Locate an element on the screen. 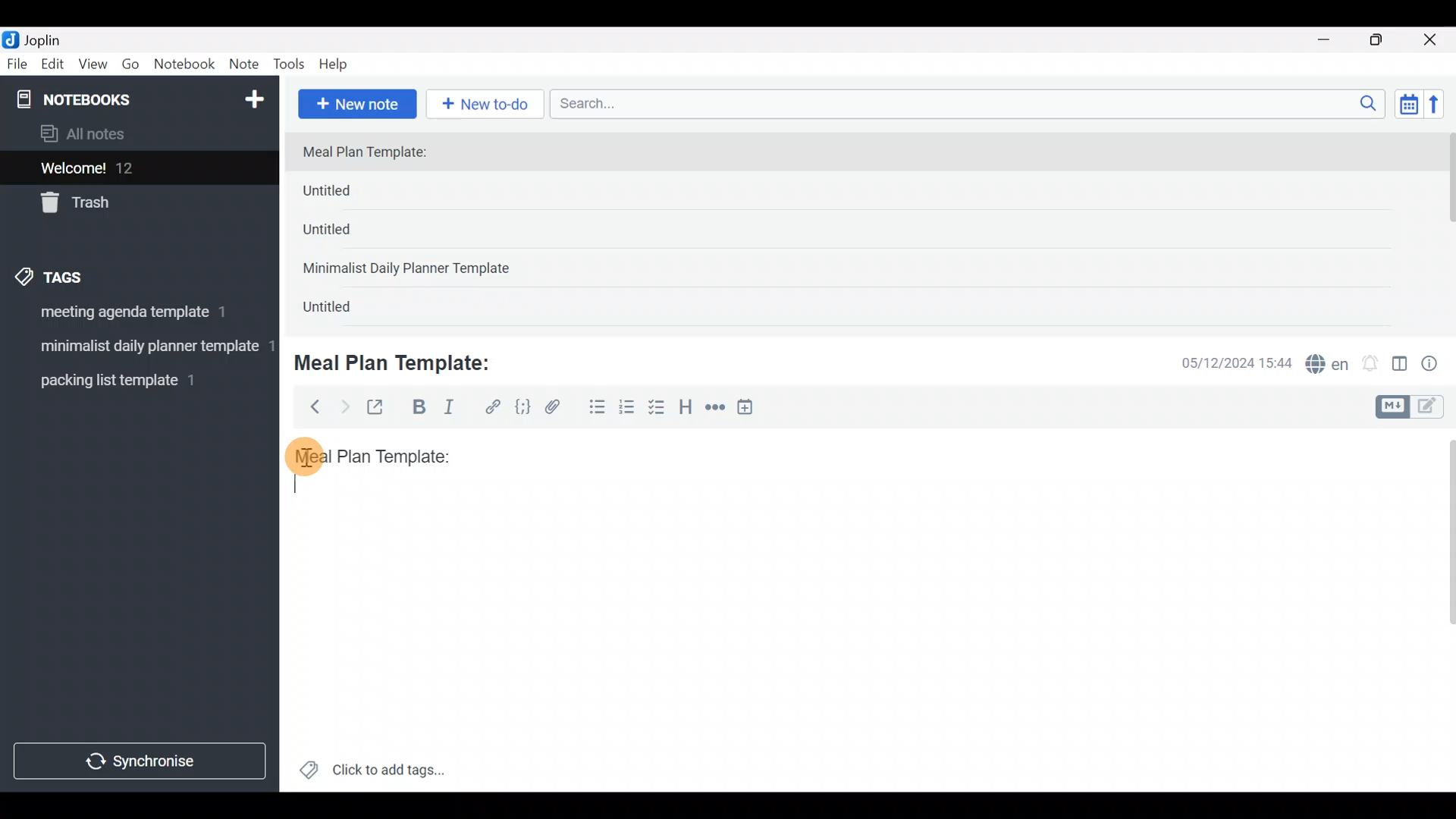 The width and height of the screenshot is (1456, 819). Meal Plan Template: is located at coordinates (374, 153).